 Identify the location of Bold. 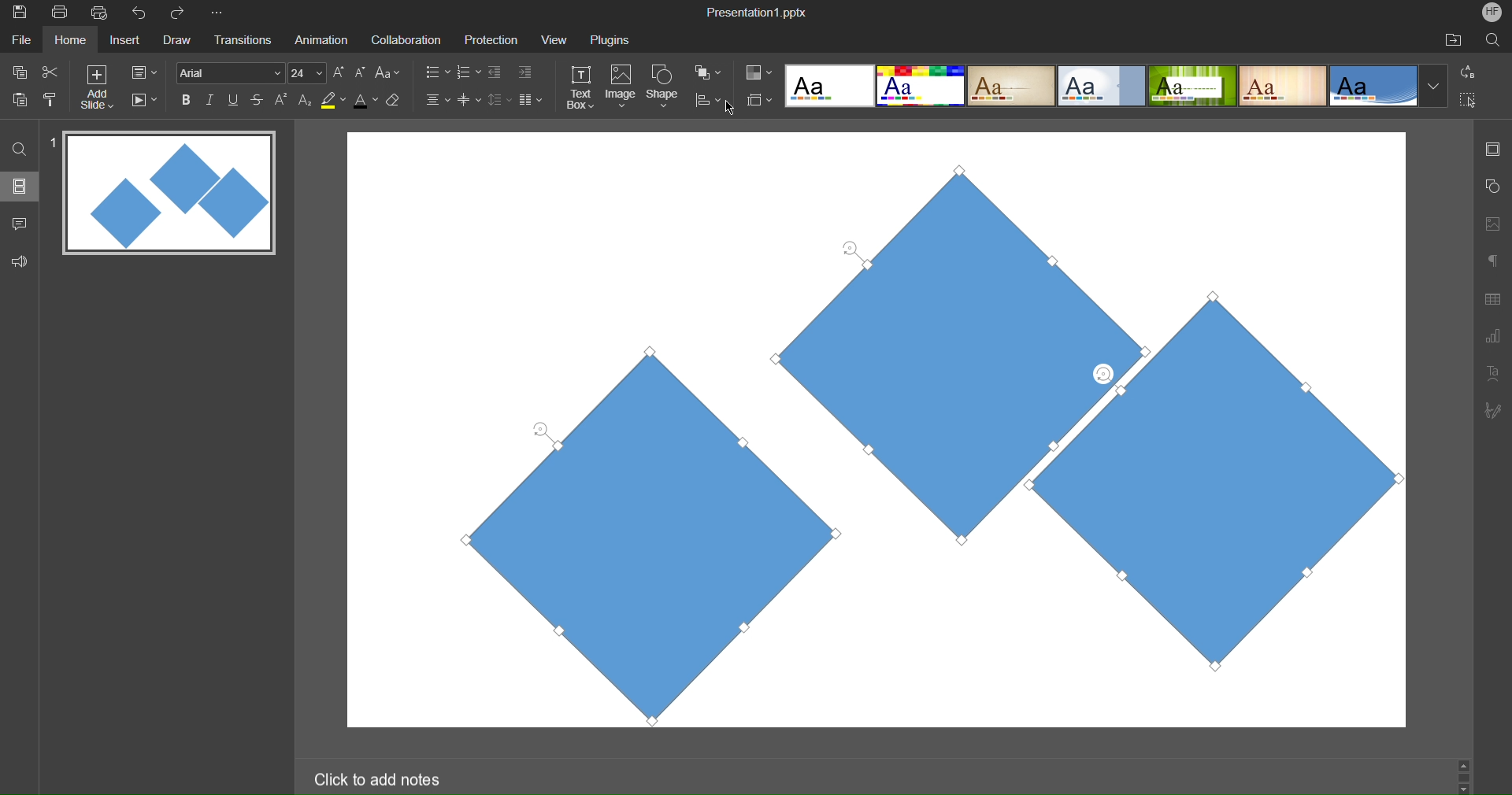
(187, 99).